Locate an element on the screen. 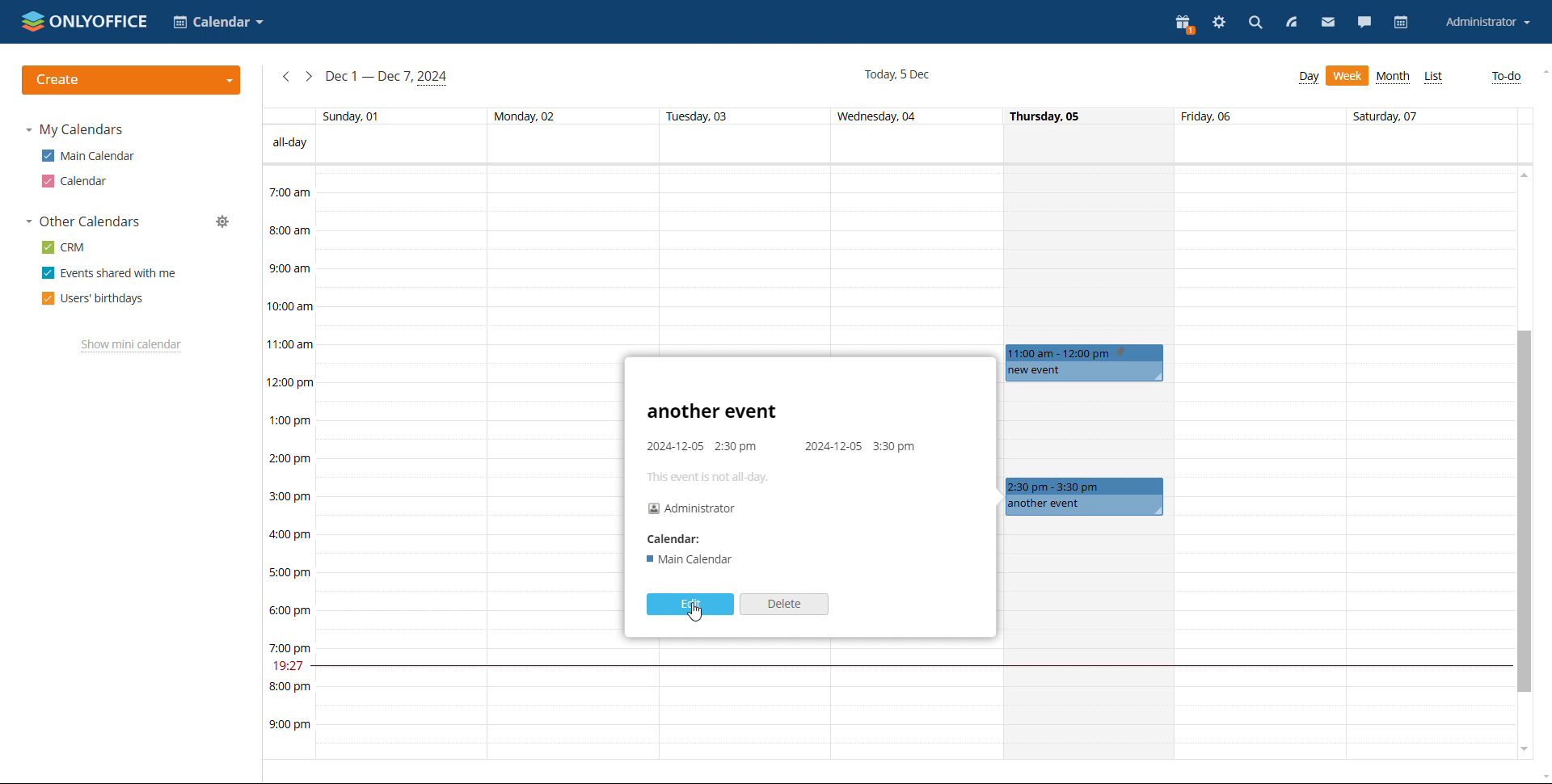 This screenshot has width=1552, height=784. new event is located at coordinates (1083, 372).